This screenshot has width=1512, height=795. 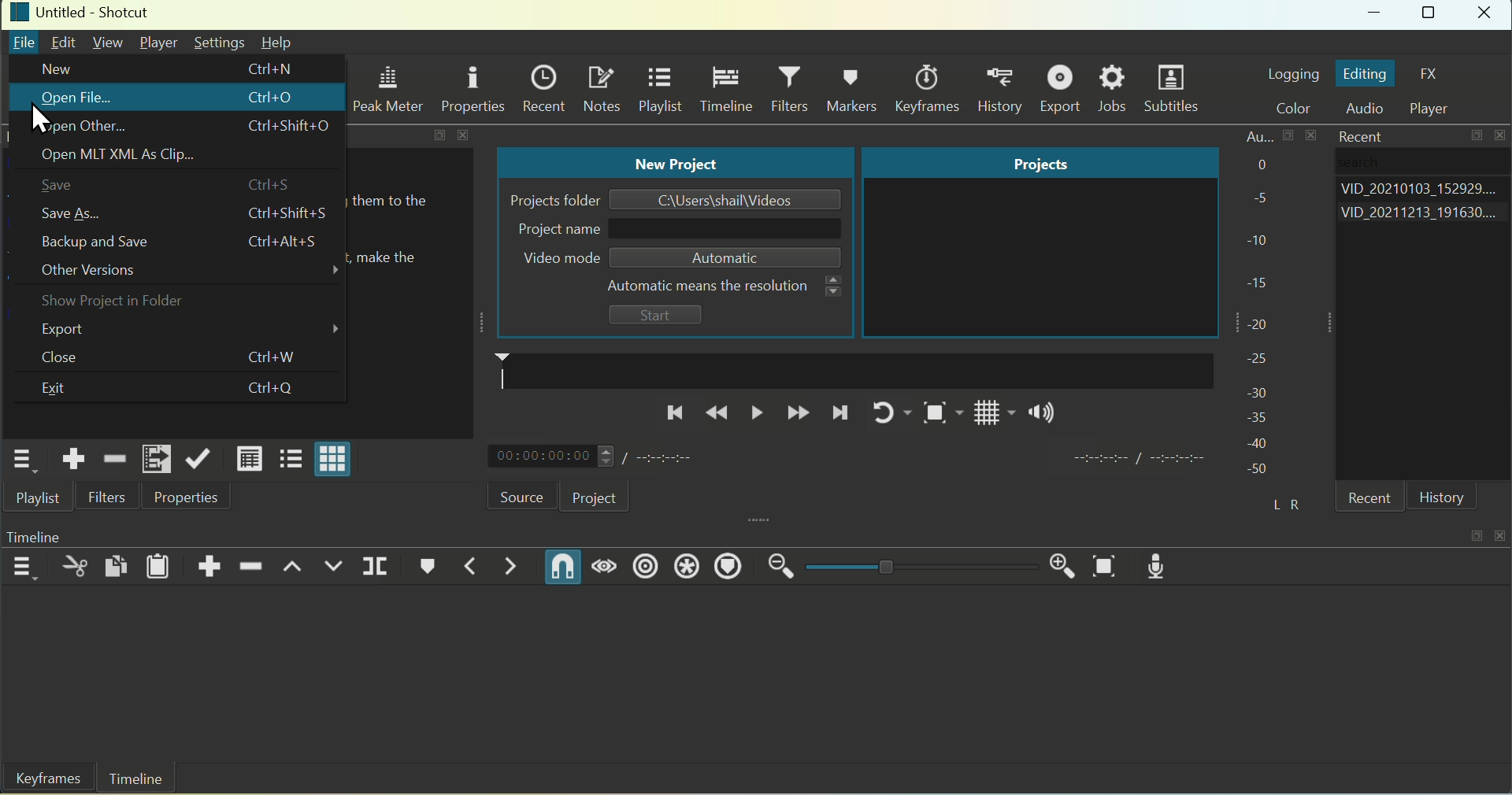 I want to click on Export, so click(x=187, y=331).